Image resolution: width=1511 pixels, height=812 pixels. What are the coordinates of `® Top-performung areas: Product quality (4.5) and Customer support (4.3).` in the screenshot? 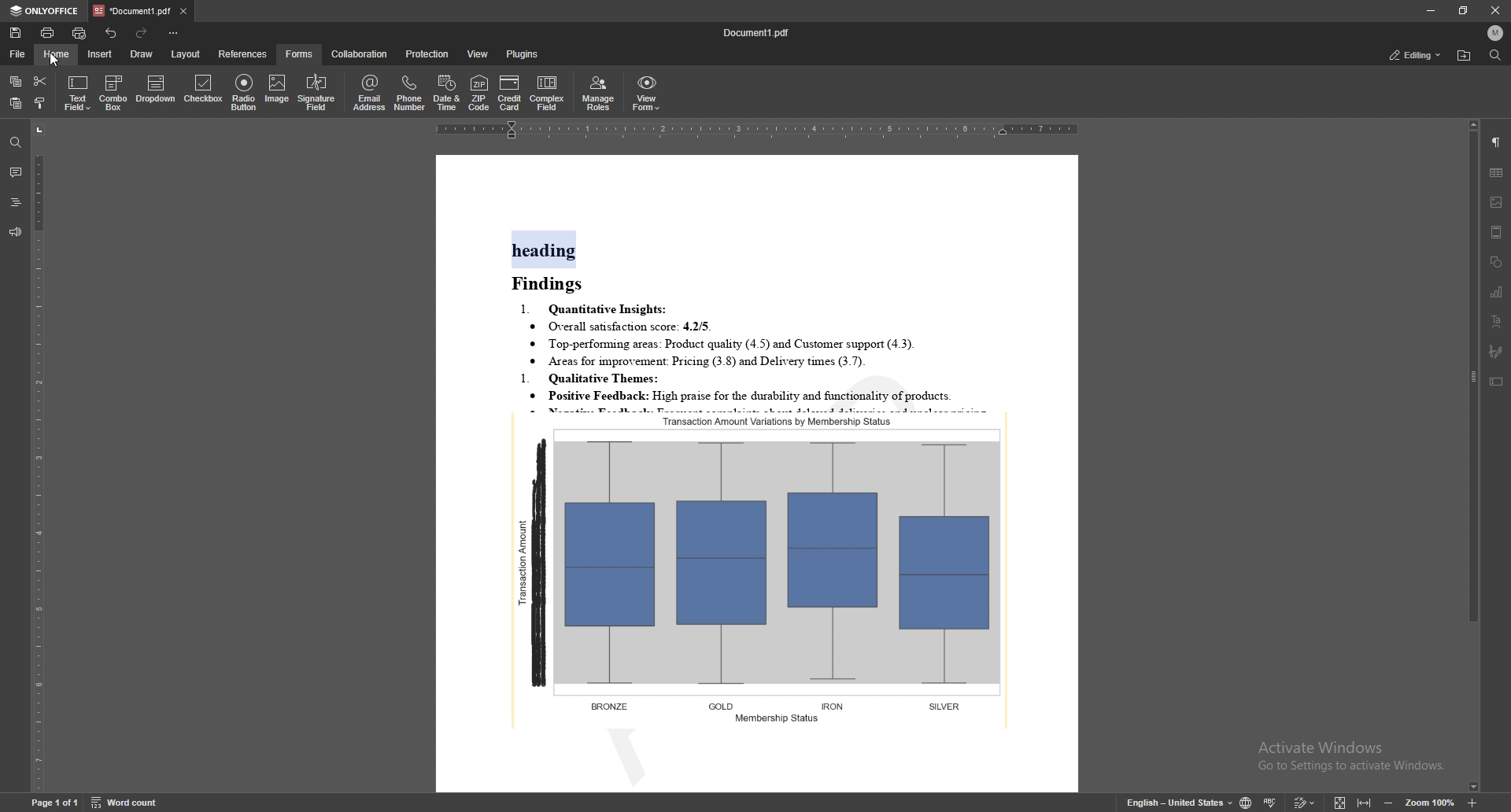 It's located at (729, 345).